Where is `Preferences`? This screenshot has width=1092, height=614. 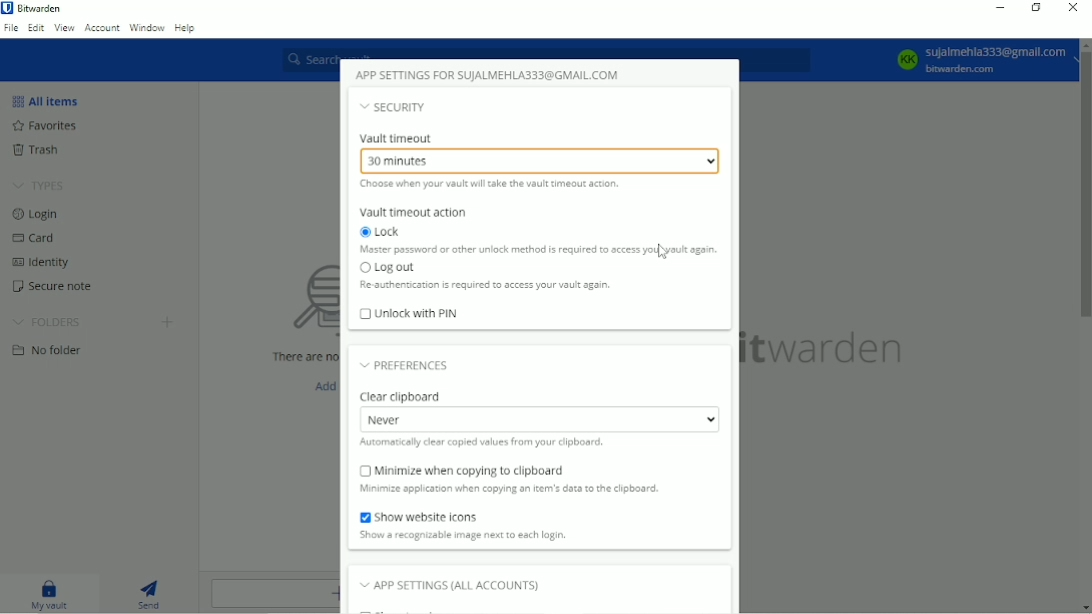 Preferences is located at coordinates (411, 364).